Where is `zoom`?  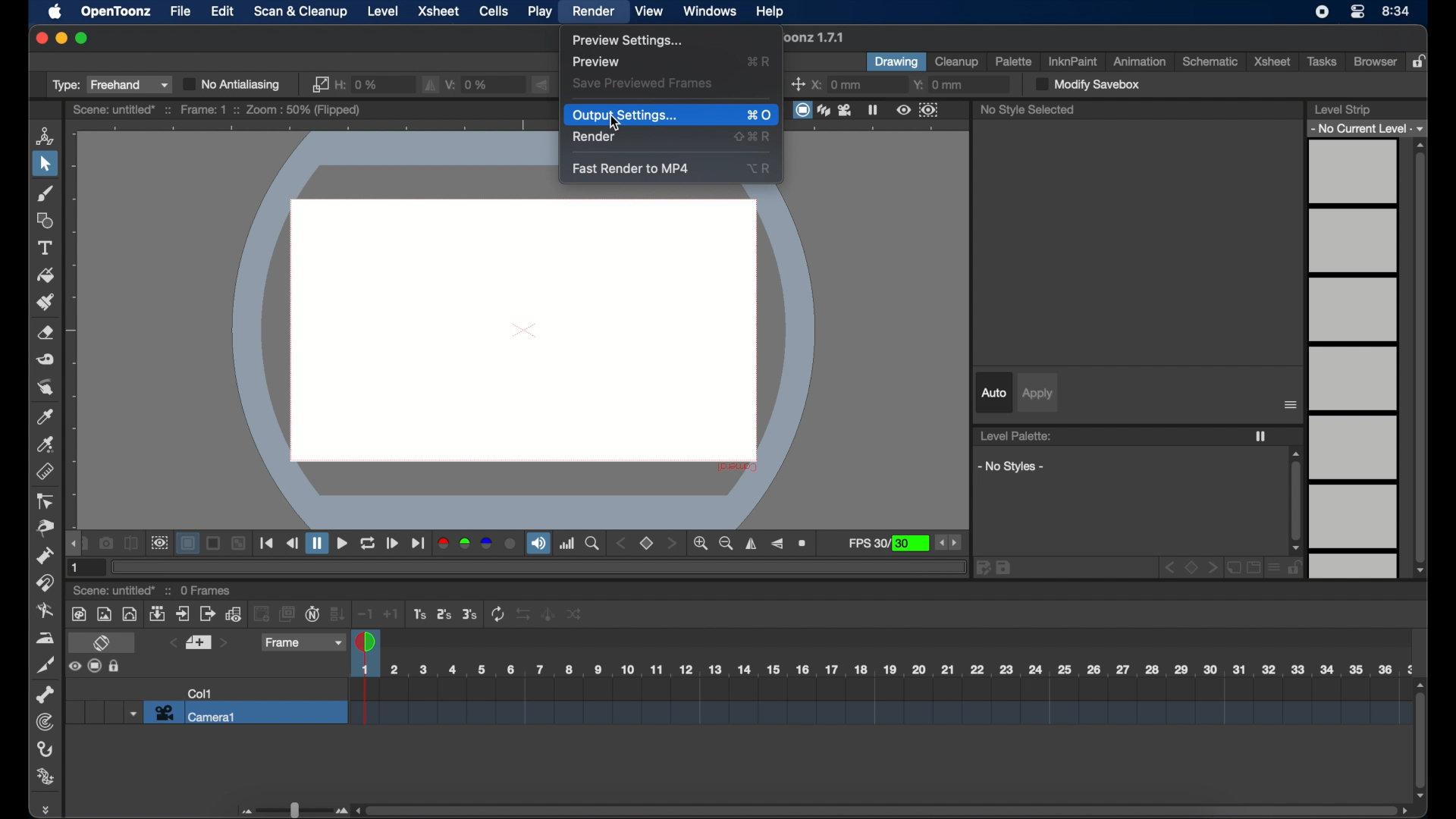
zoom is located at coordinates (714, 543).